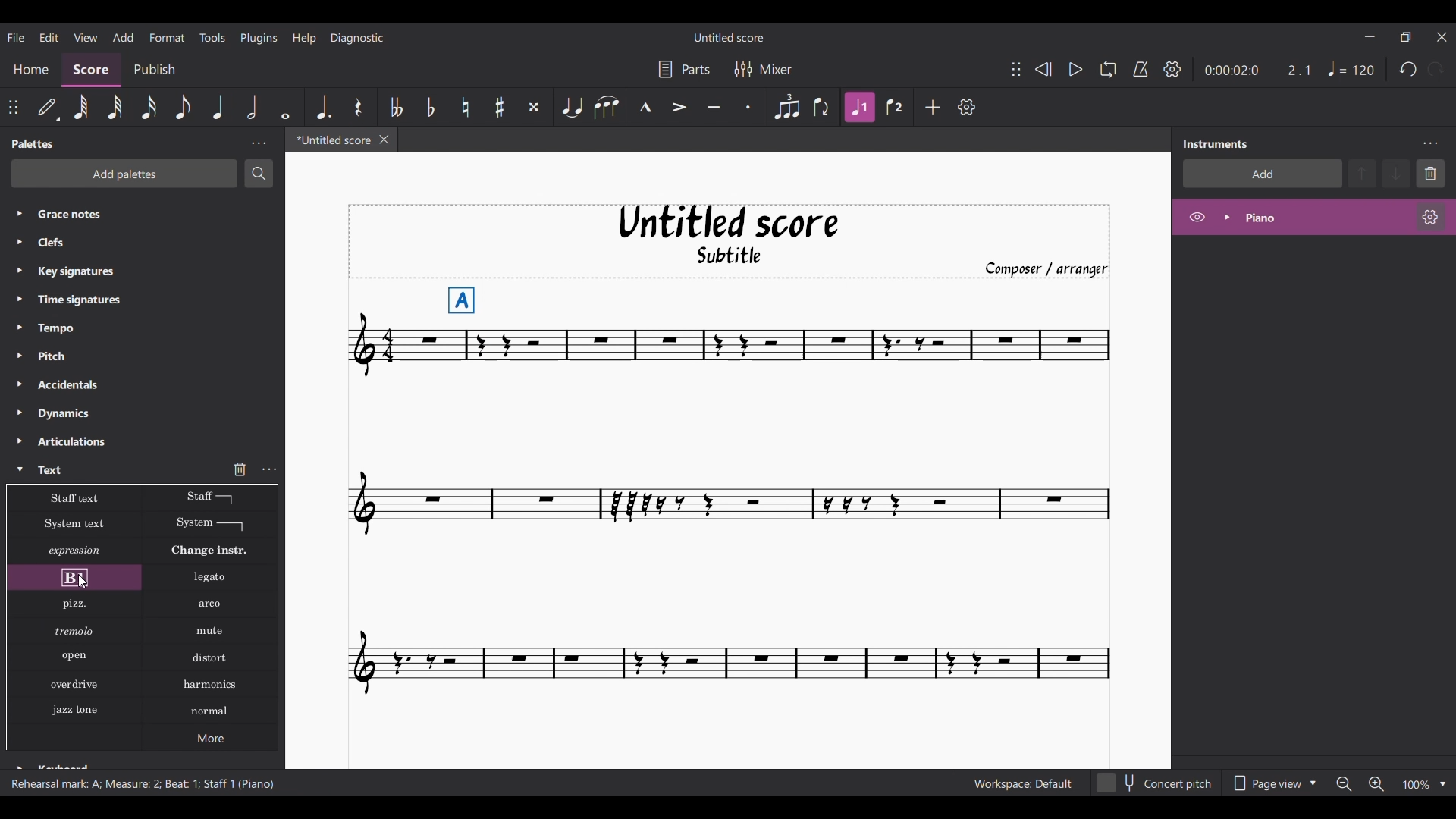  I want to click on View menu, so click(86, 38).